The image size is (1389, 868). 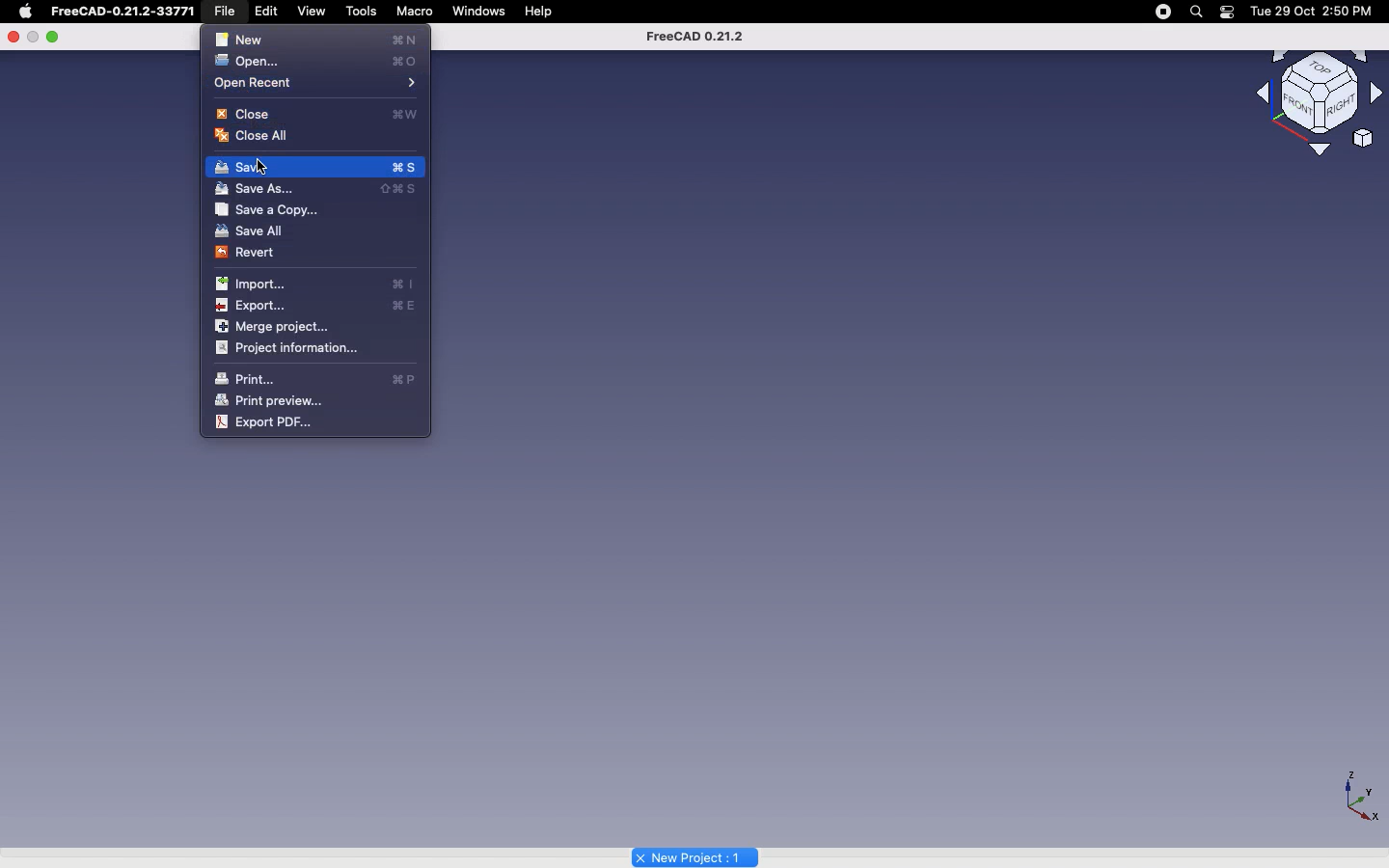 I want to click on FreeCAD, so click(x=694, y=36).